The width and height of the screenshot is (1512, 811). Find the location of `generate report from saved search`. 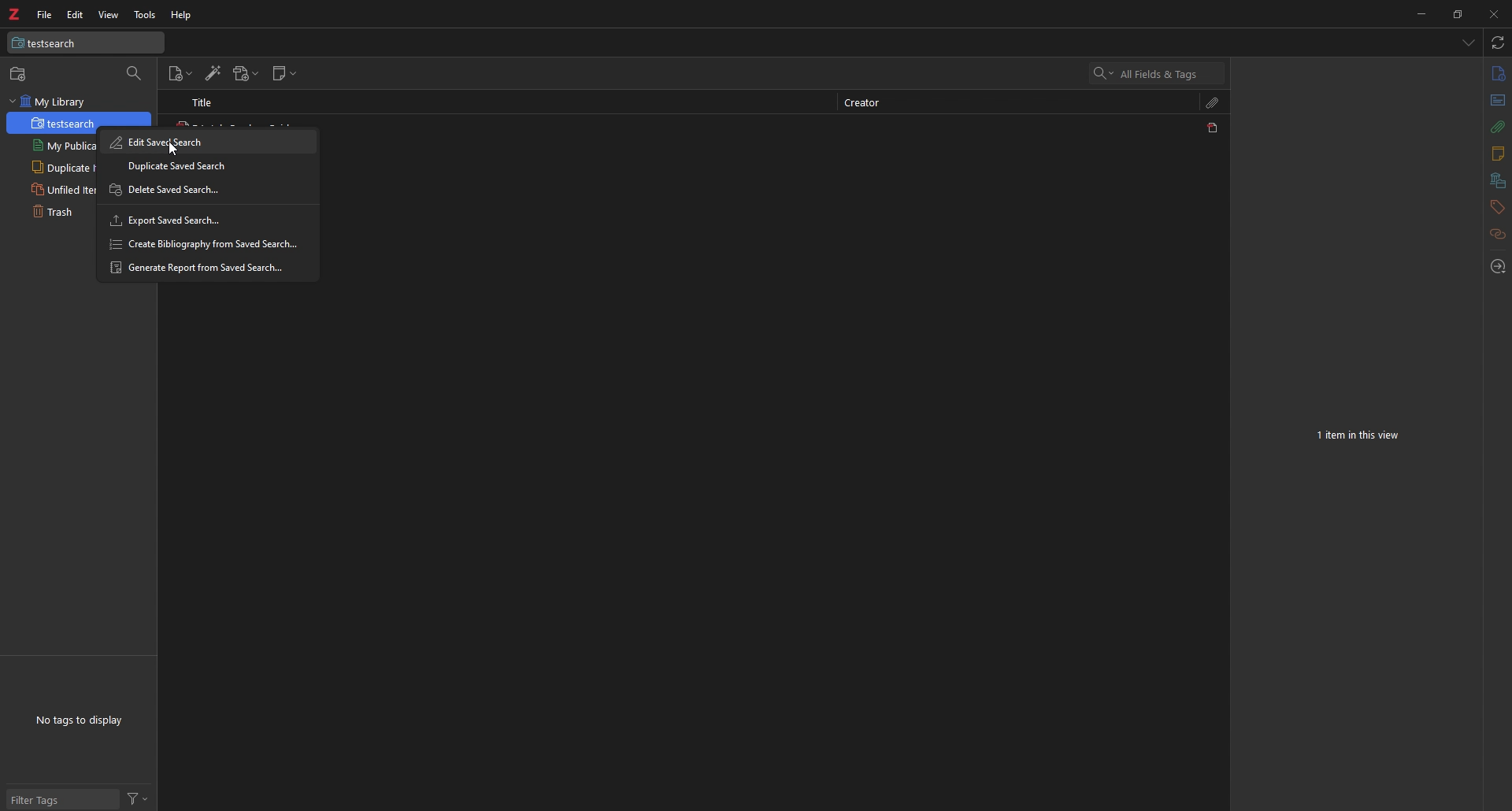

generate report from saved search is located at coordinates (206, 267).